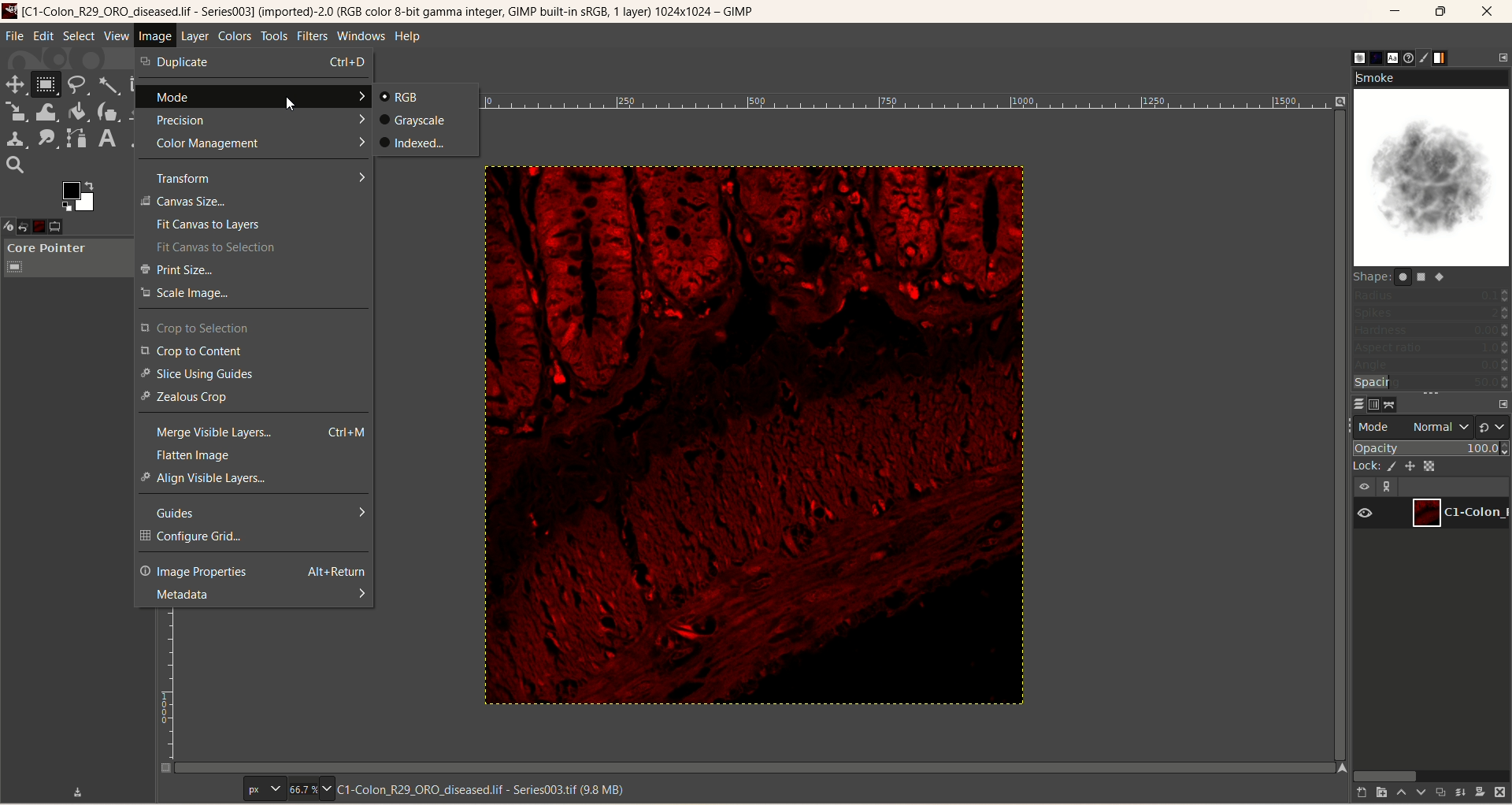 The width and height of the screenshot is (1512, 805). What do you see at coordinates (1403, 793) in the screenshot?
I see `raise this layer one step` at bounding box center [1403, 793].